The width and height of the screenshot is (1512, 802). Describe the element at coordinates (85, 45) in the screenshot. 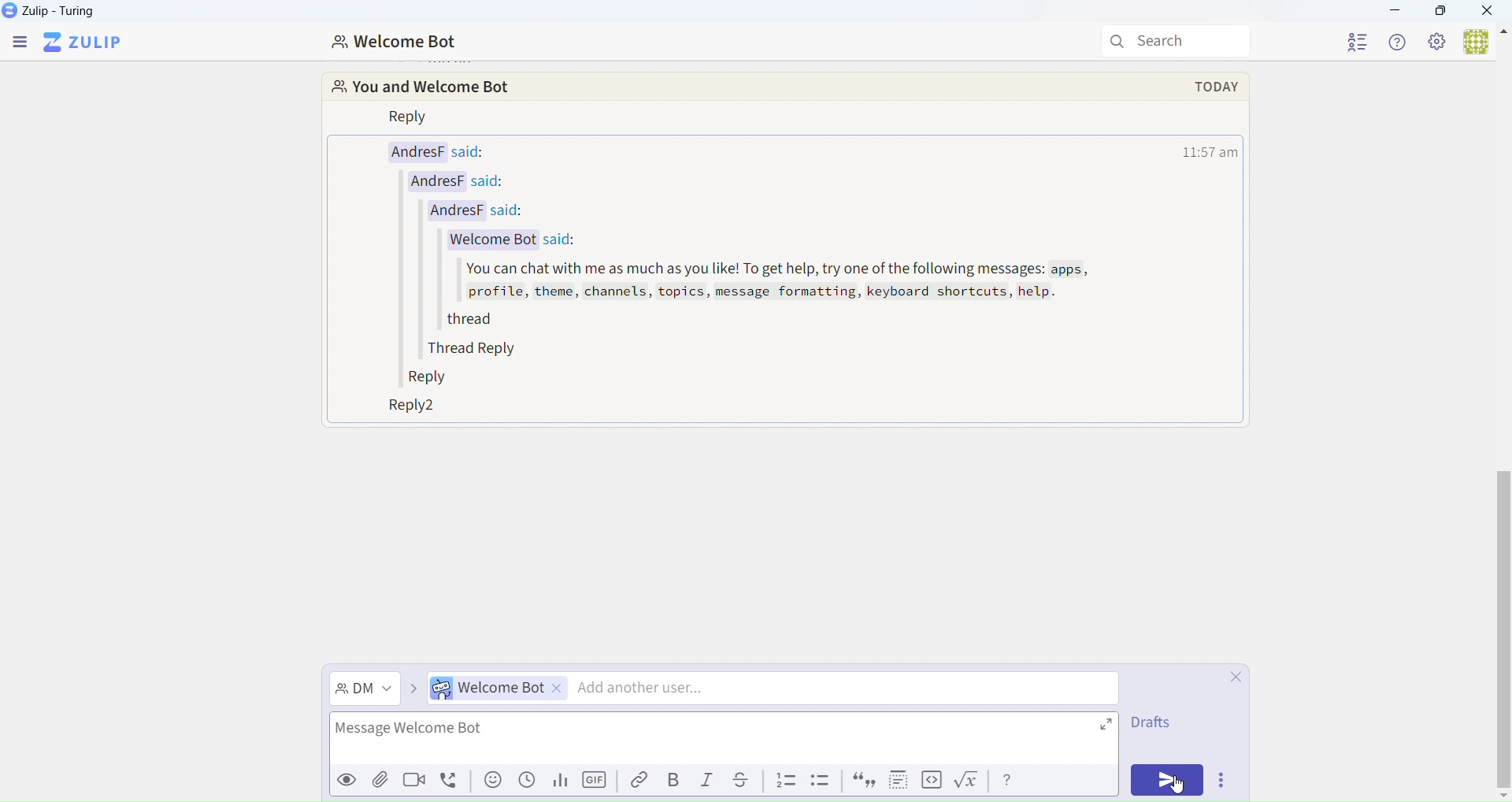

I see `Zulip` at that location.